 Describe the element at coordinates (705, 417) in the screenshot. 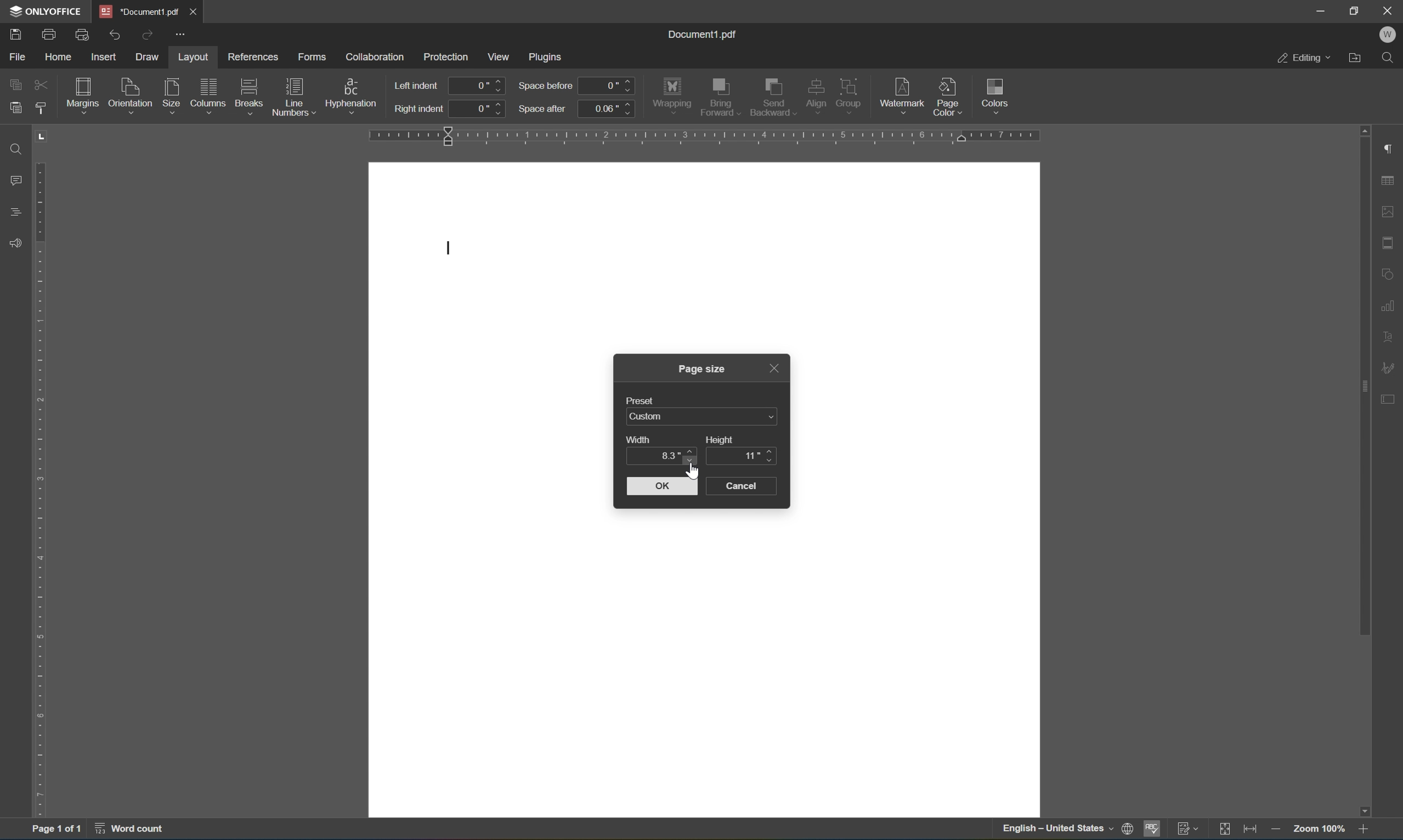

I see `custom` at that location.